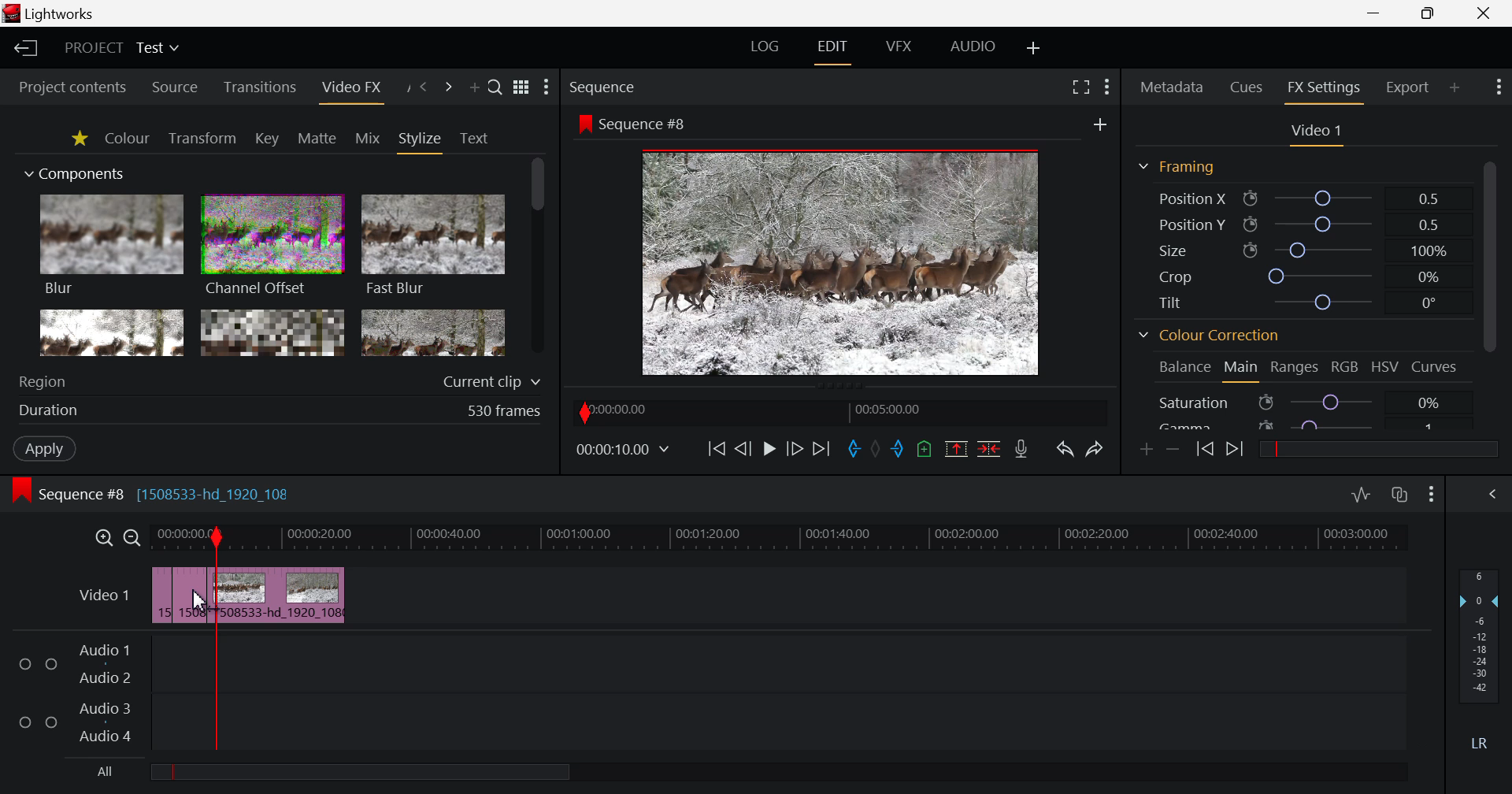 This screenshot has width=1512, height=794. I want to click on Size, so click(1299, 250).